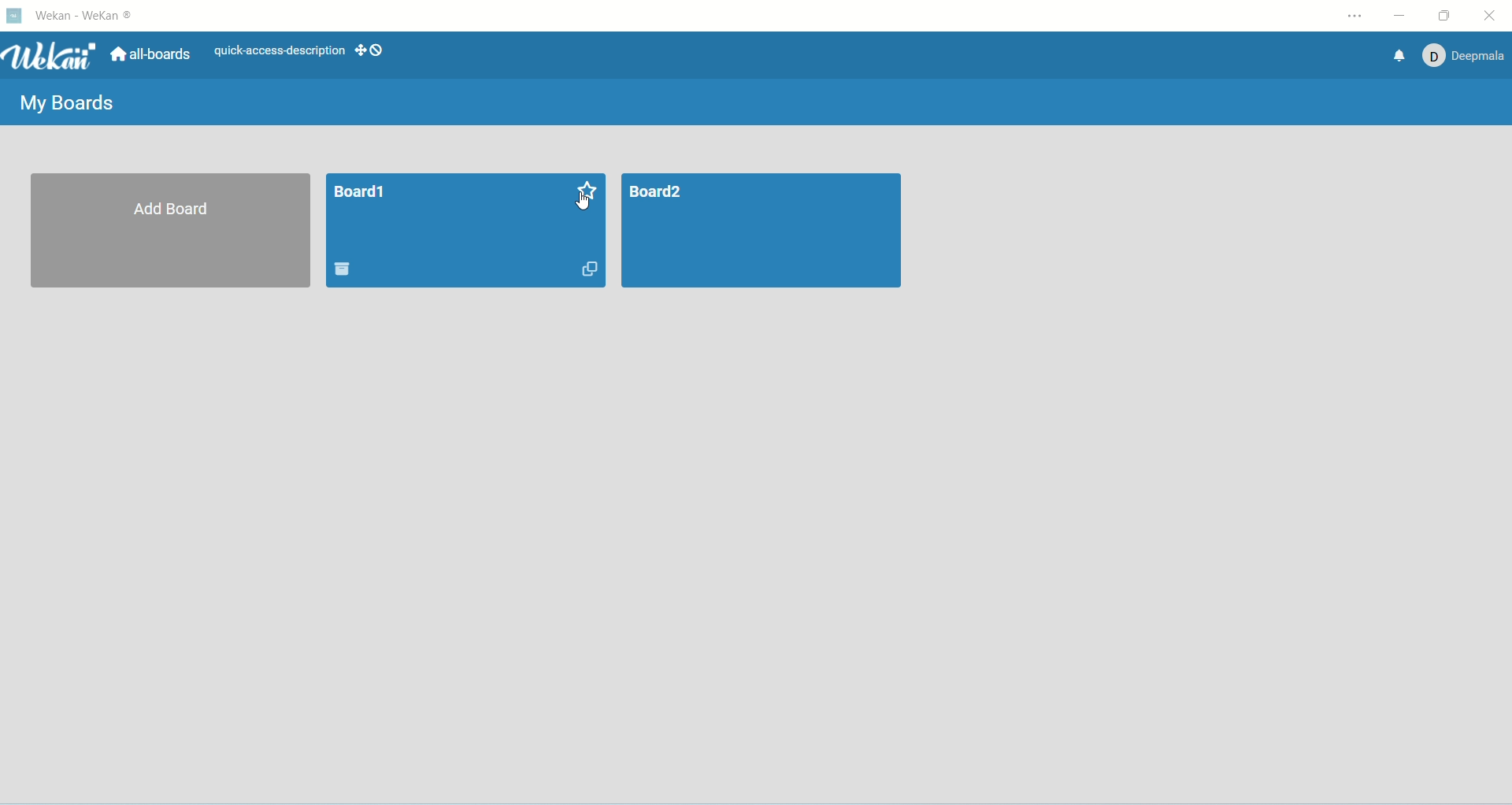 Image resolution: width=1512 pixels, height=805 pixels. What do you see at coordinates (85, 17) in the screenshot?
I see `title` at bounding box center [85, 17].